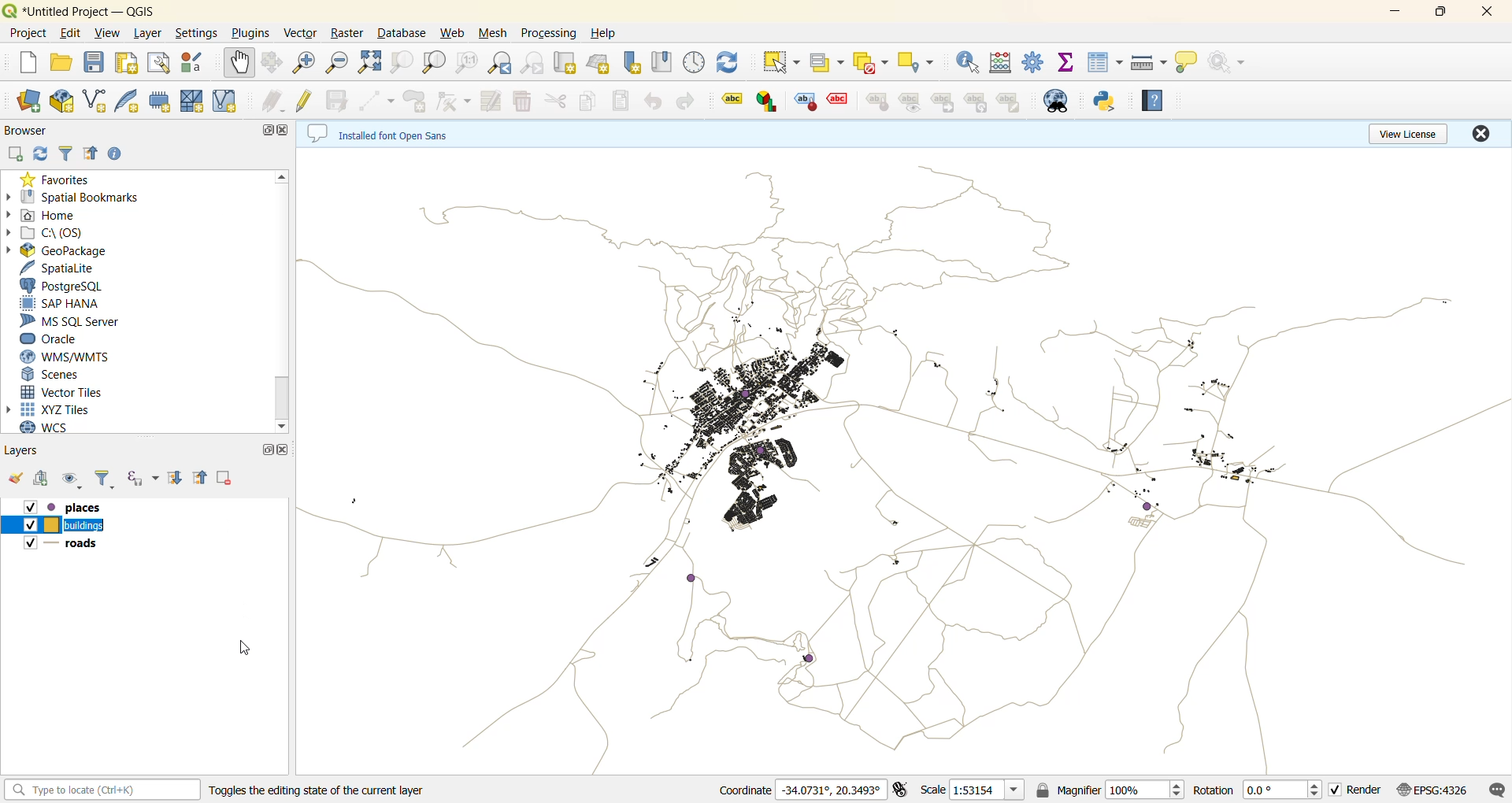 The height and width of the screenshot is (803, 1512). Describe the element at coordinates (730, 63) in the screenshot. I see `refresh` at that location.